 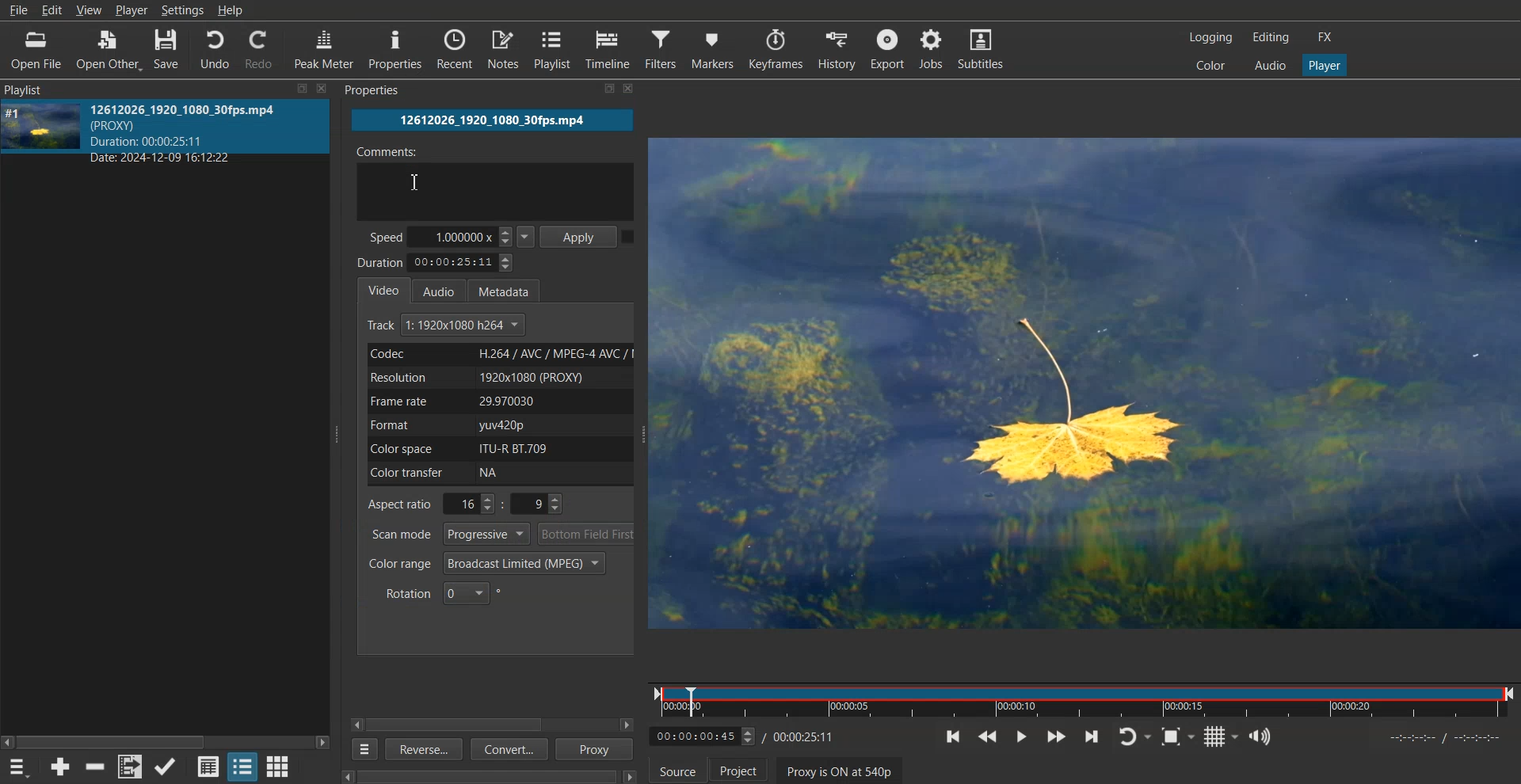 What do you see at coordinates (129, 767) in the screenshot?
I see `Add file to playlist` at bounding box center [129, 767].